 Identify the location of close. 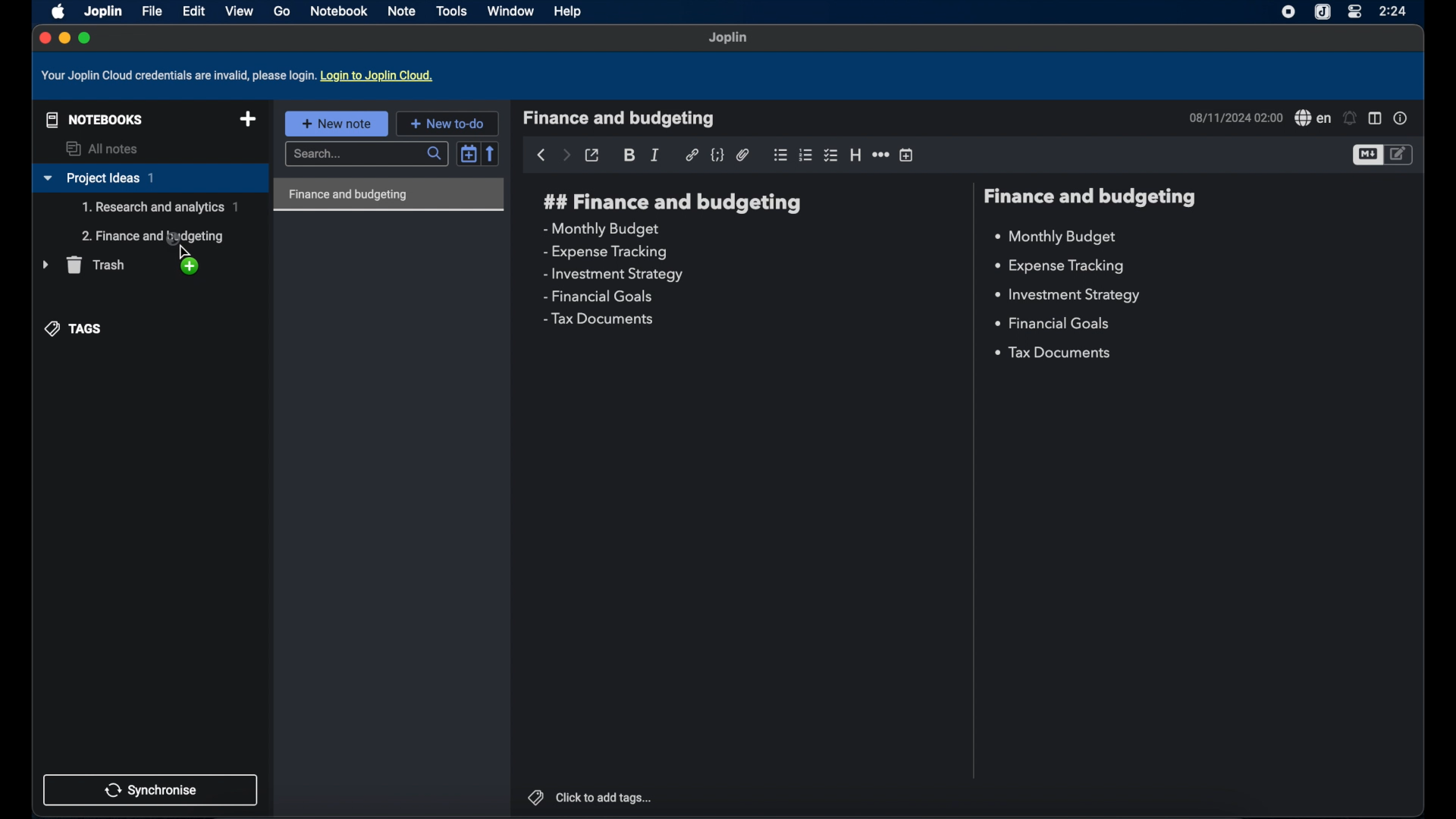
(43, 37).